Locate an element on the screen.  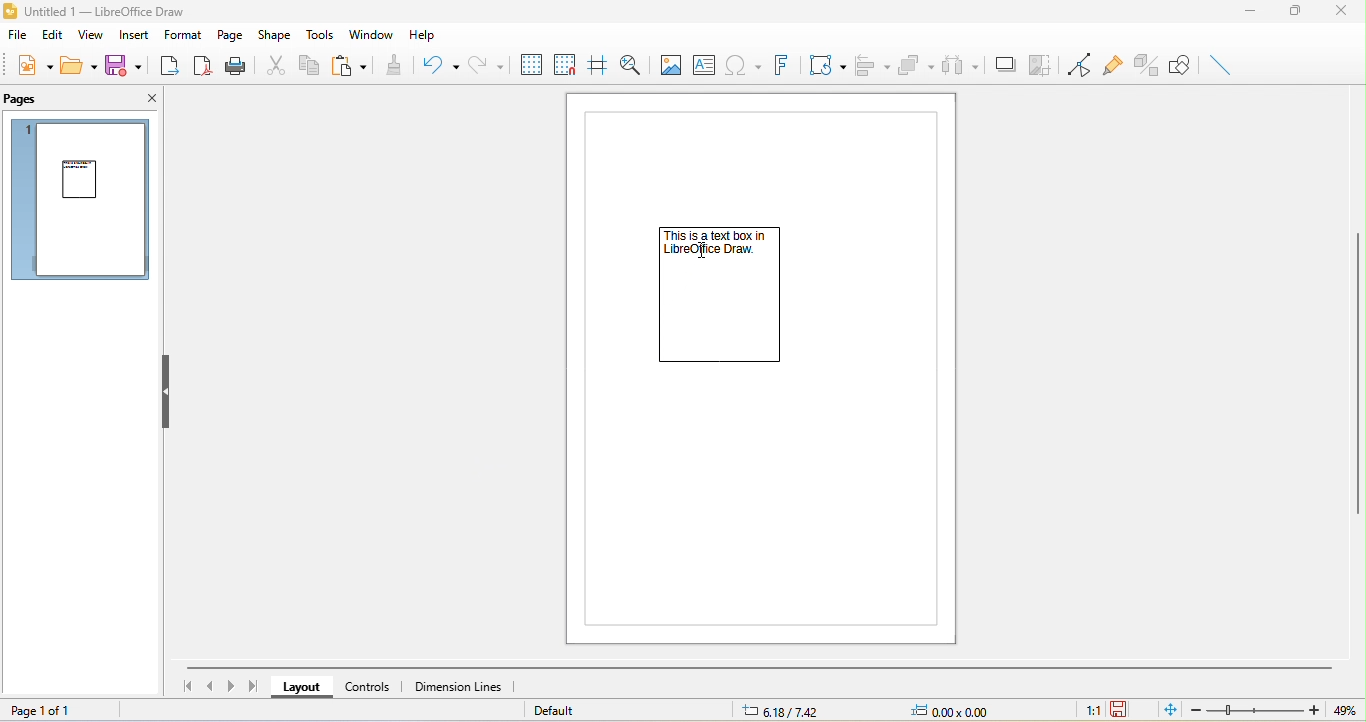
show draw function is located at coordinates (1179, 63).